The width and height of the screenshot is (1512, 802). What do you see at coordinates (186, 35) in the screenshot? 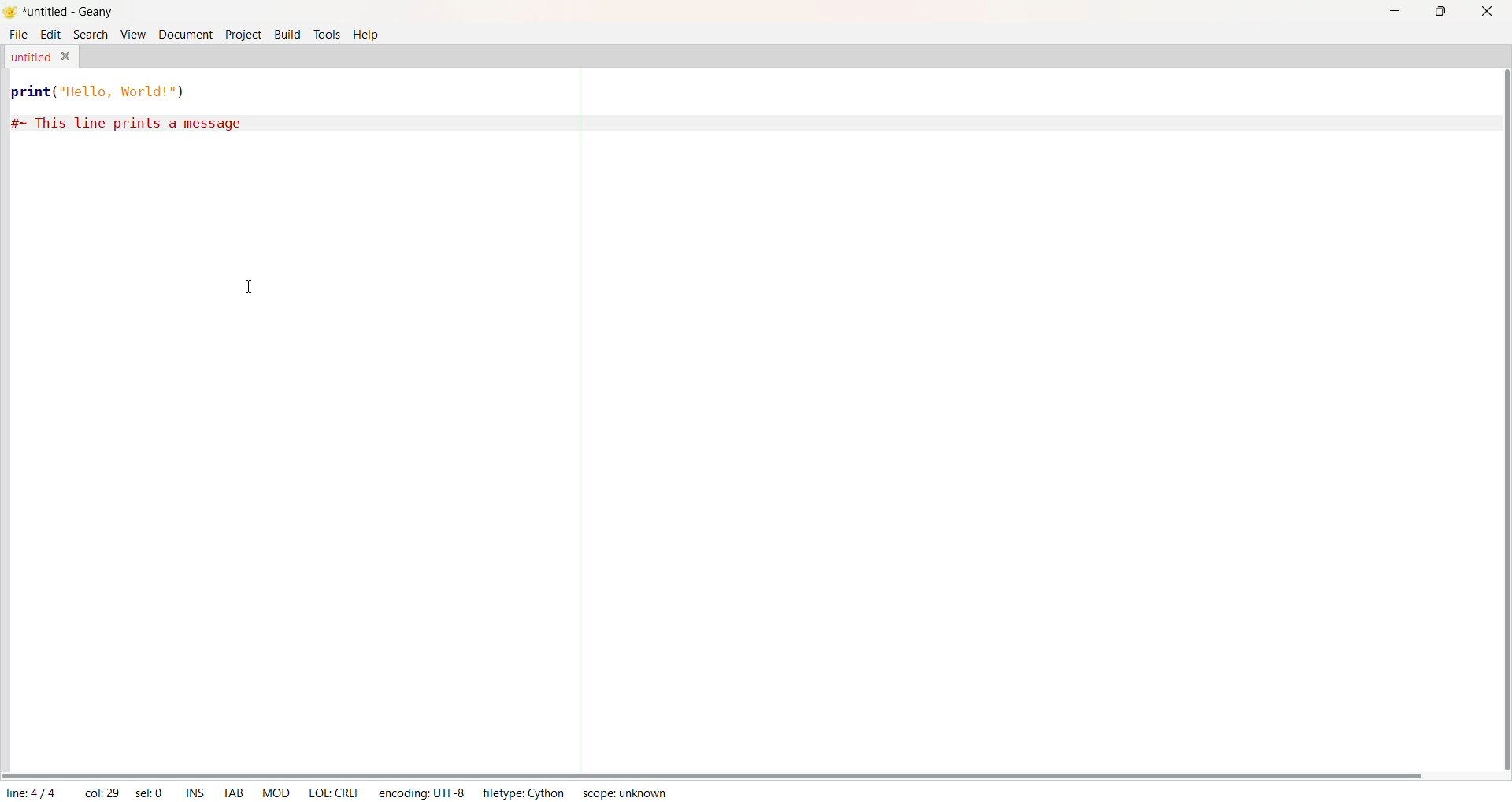
I see `Document` at bounding box center [186, 35].